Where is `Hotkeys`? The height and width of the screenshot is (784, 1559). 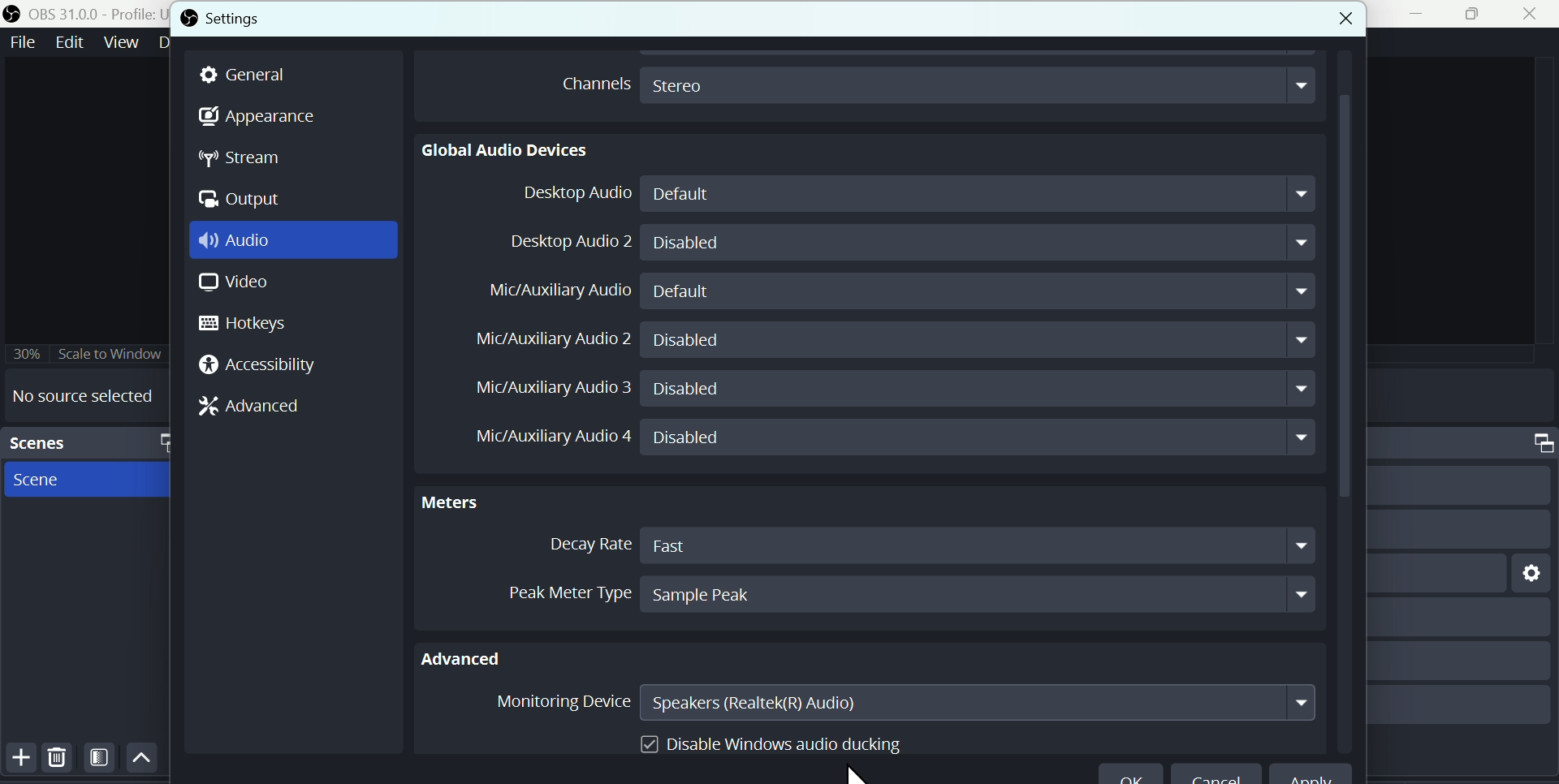
Hotkeys is located at coordinates (254, 325).